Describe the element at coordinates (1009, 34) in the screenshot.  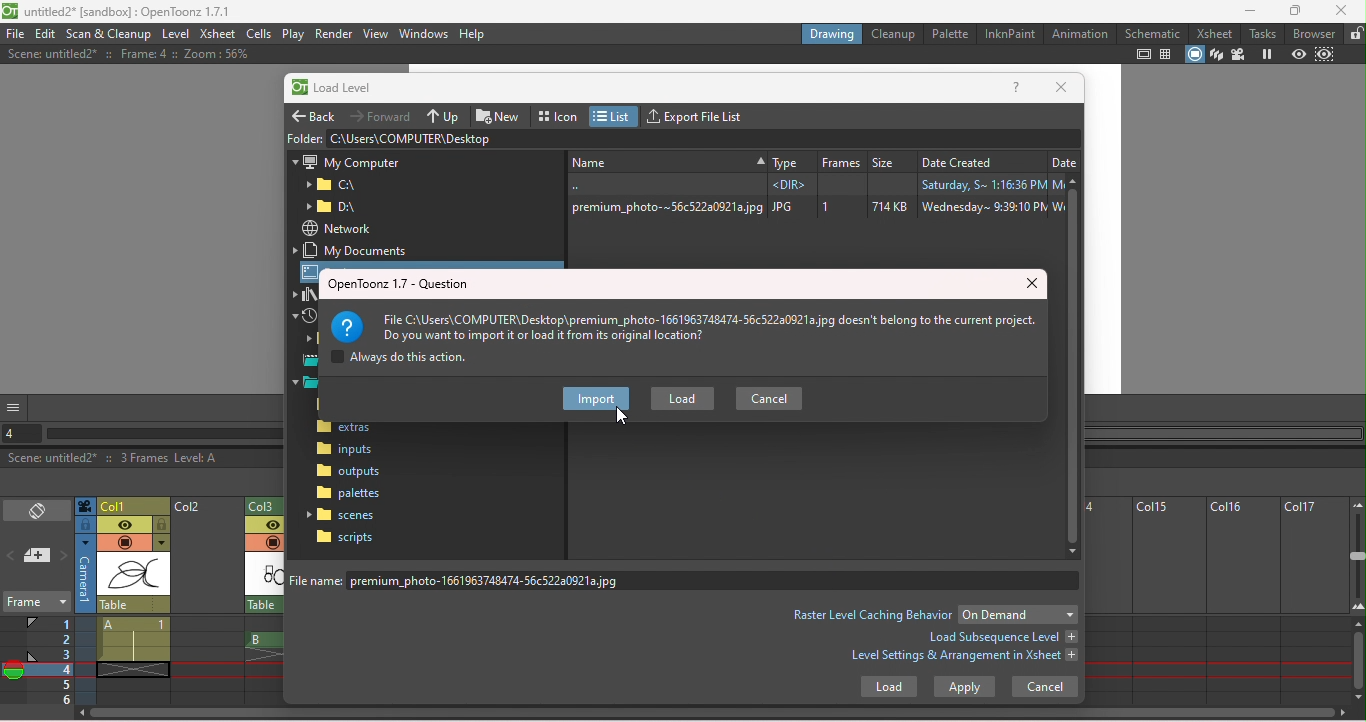
I see `InknPaint` at that location.